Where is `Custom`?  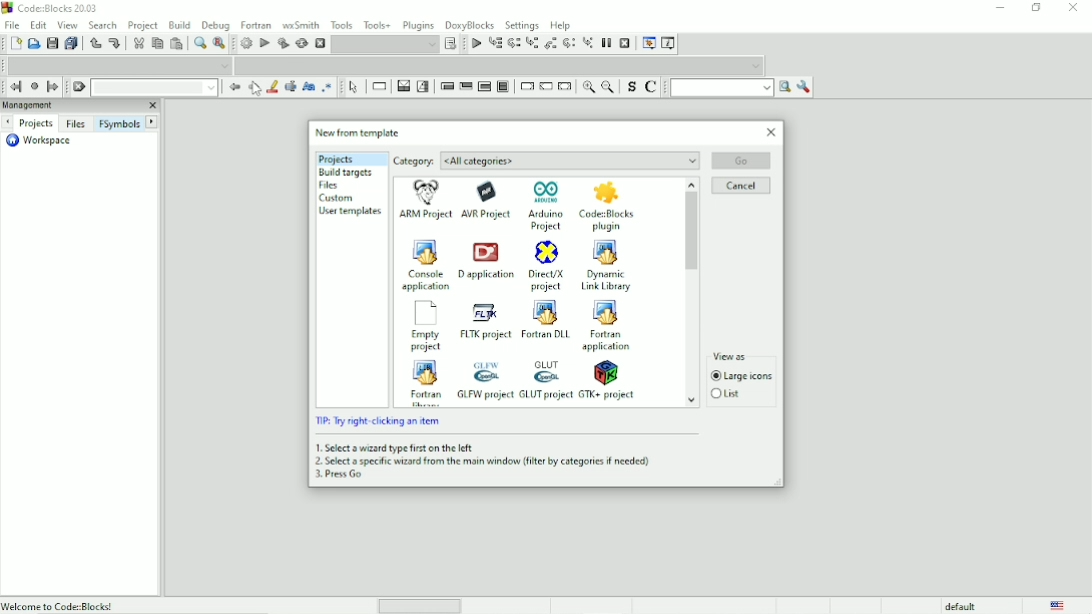
Custom is located at coordinates (338, 198).